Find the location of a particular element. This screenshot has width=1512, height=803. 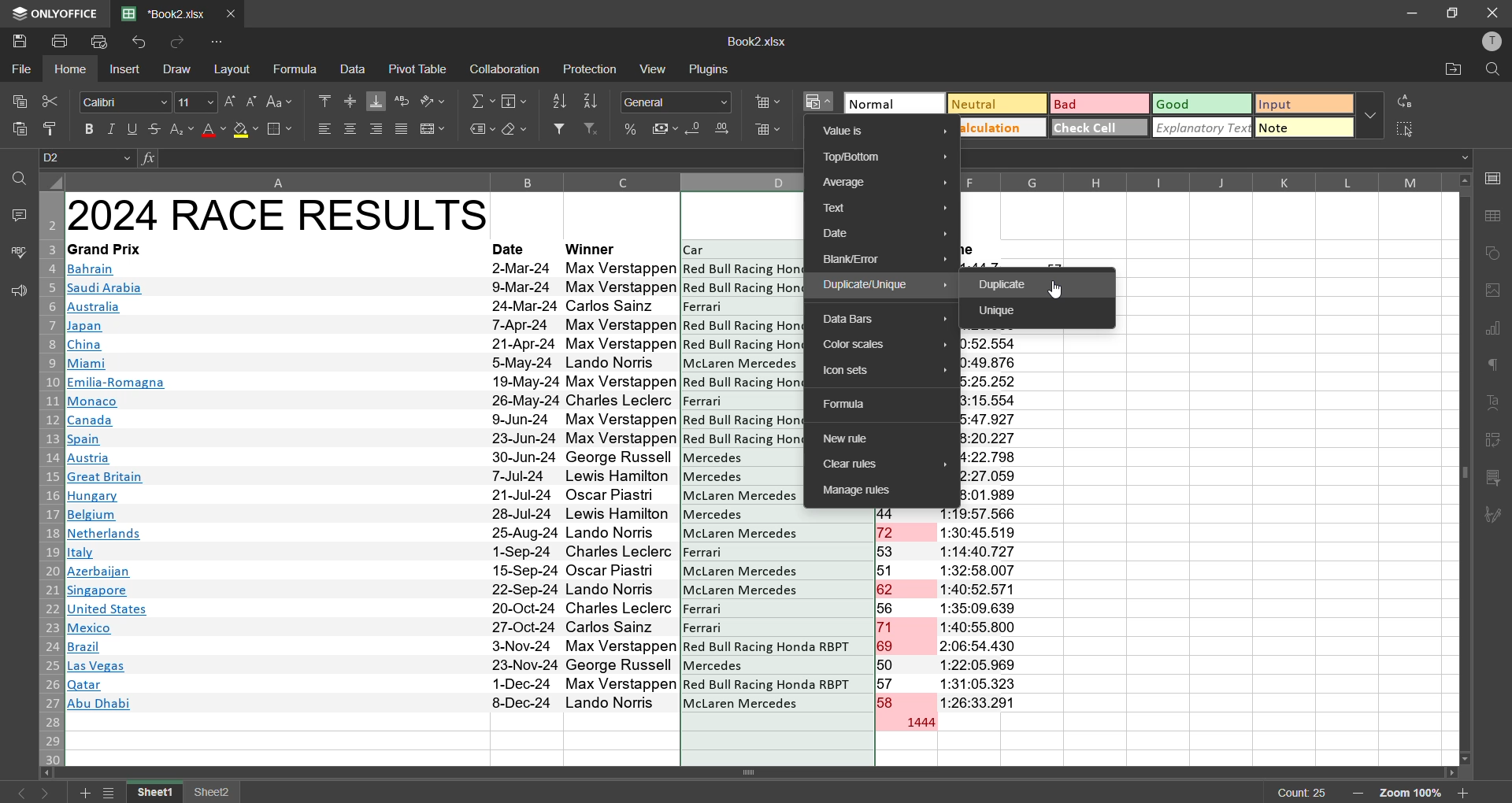

insert is located at coordinates (126, 71).